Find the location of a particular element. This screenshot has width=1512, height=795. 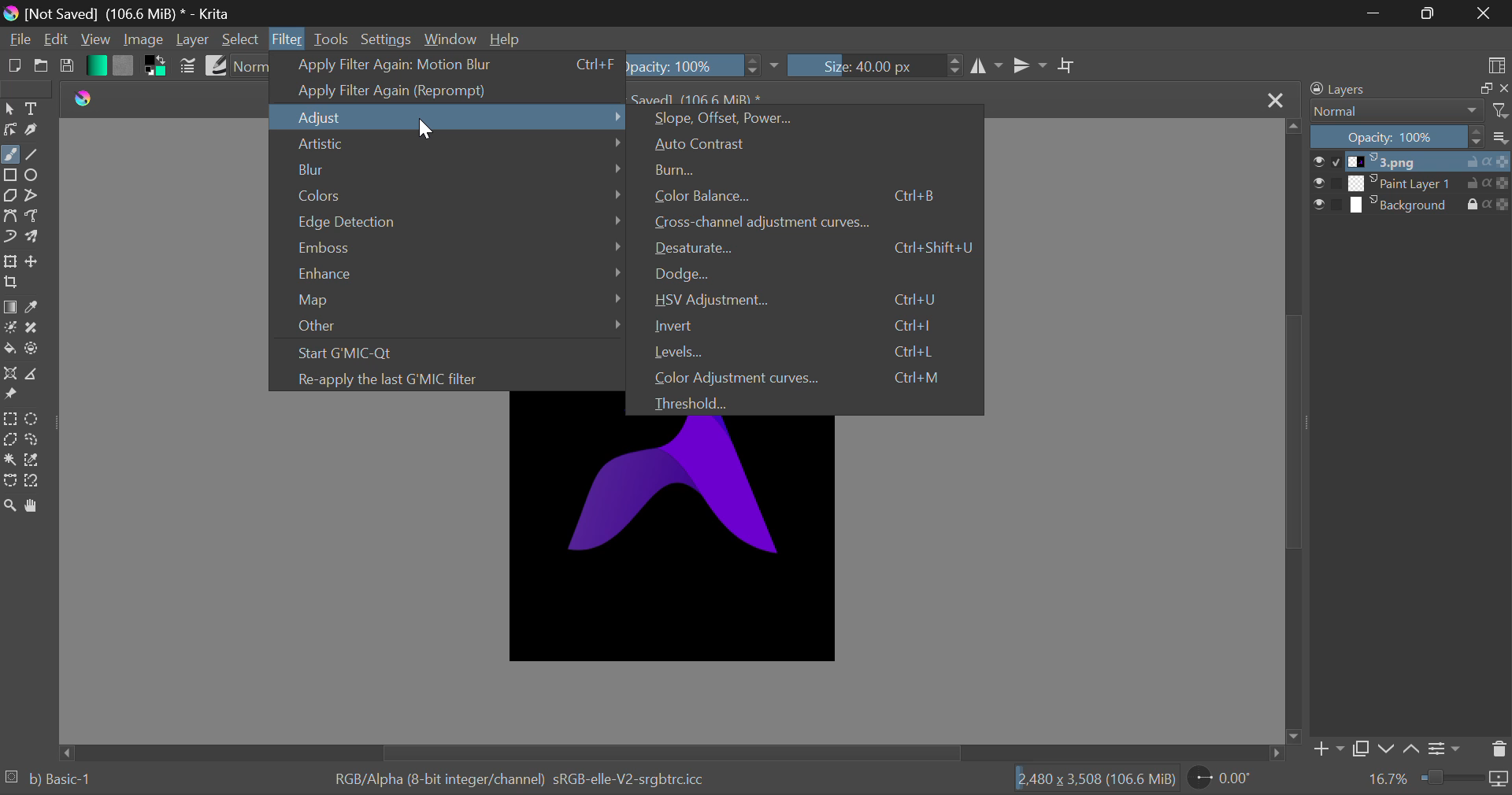

Colorize Mask Tool is located at coordinates (11, 329).